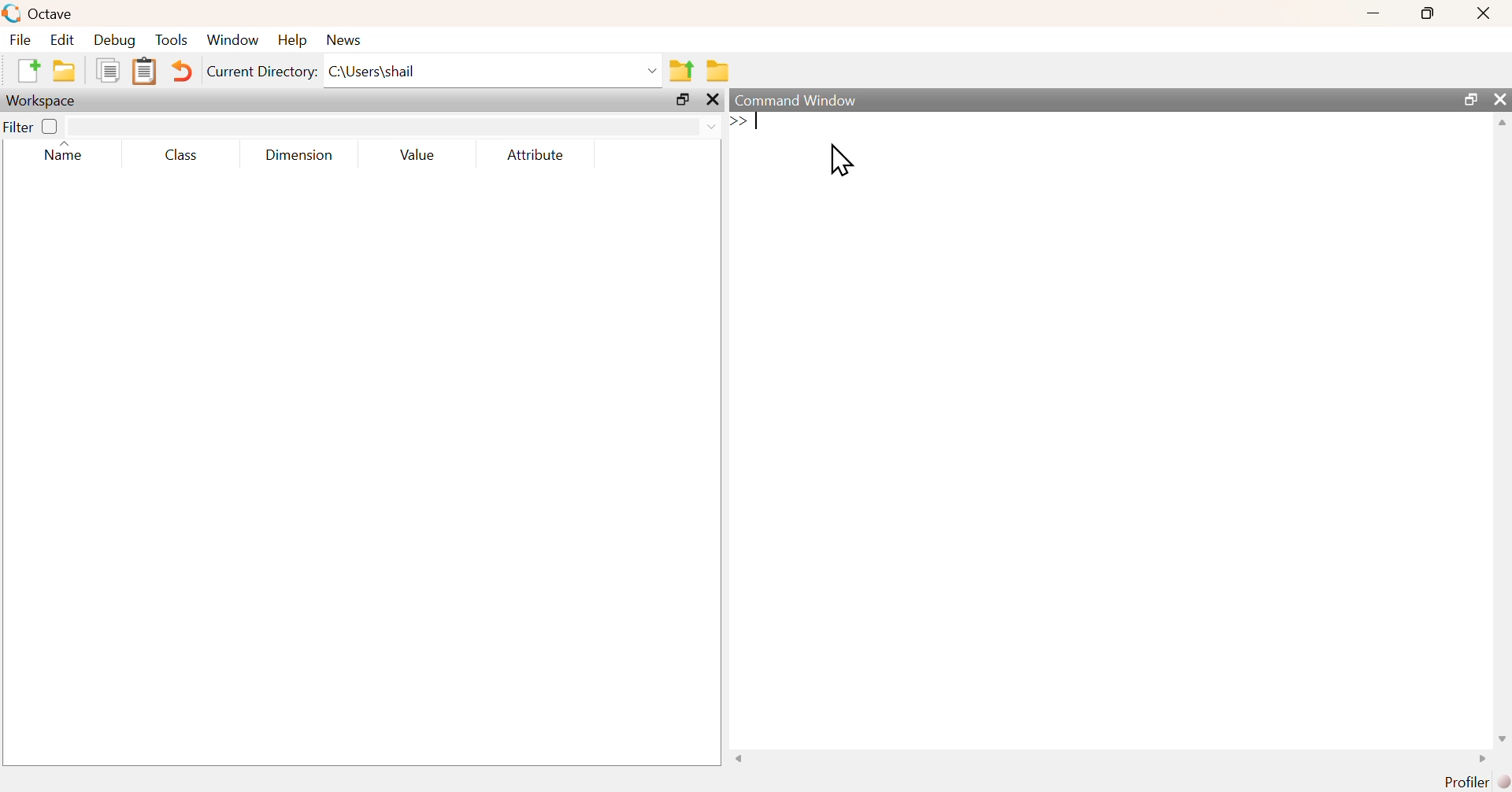  Describe the element at coordinates (264, 74) in the screenshot. I see `Current Directory:` at that location.